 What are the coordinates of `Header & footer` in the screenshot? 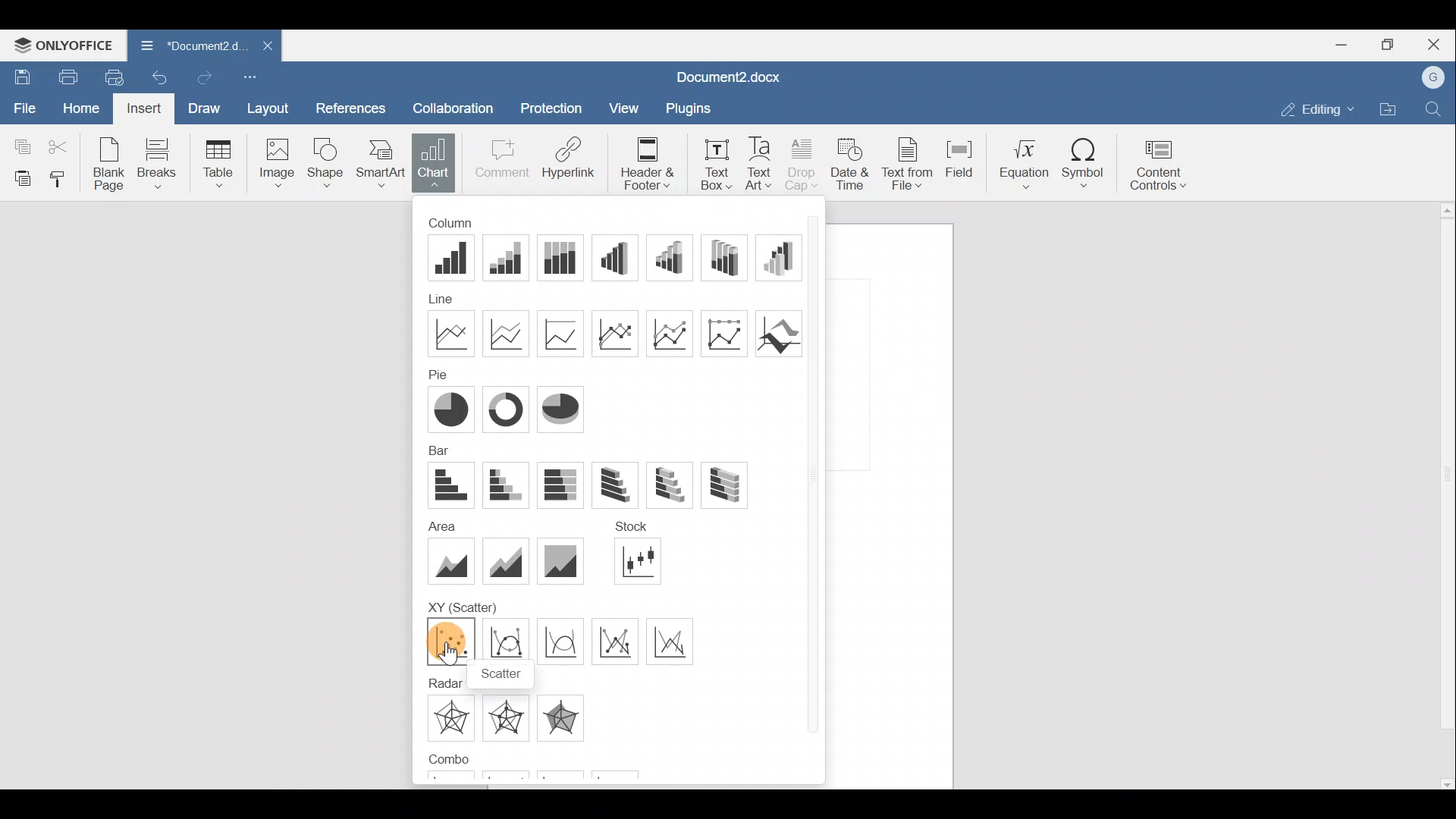 It's located at (645, 160).